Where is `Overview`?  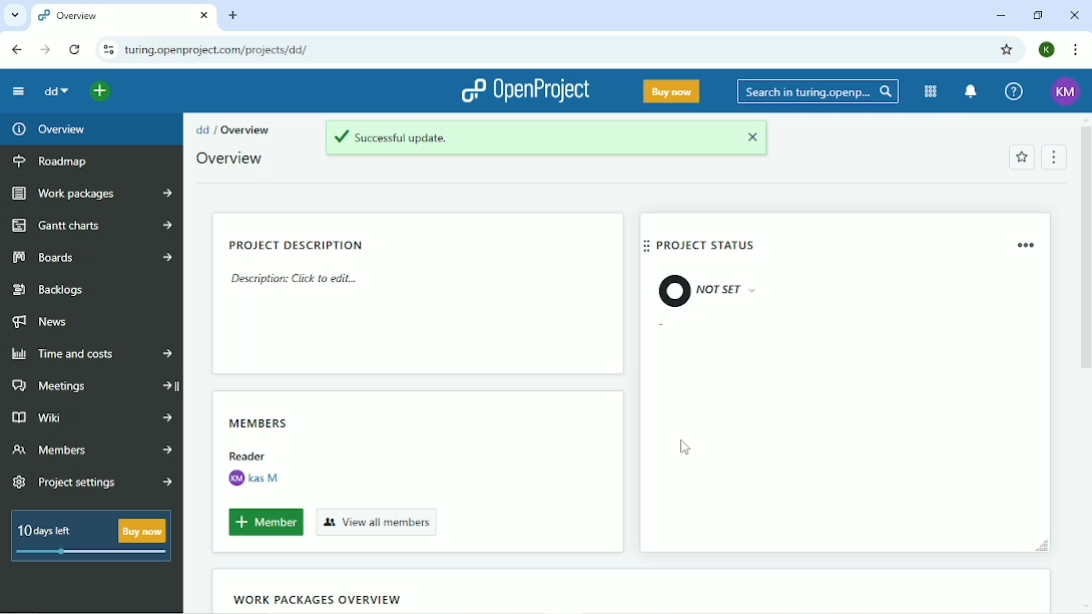 Overview is located at coordinates (232, 159).